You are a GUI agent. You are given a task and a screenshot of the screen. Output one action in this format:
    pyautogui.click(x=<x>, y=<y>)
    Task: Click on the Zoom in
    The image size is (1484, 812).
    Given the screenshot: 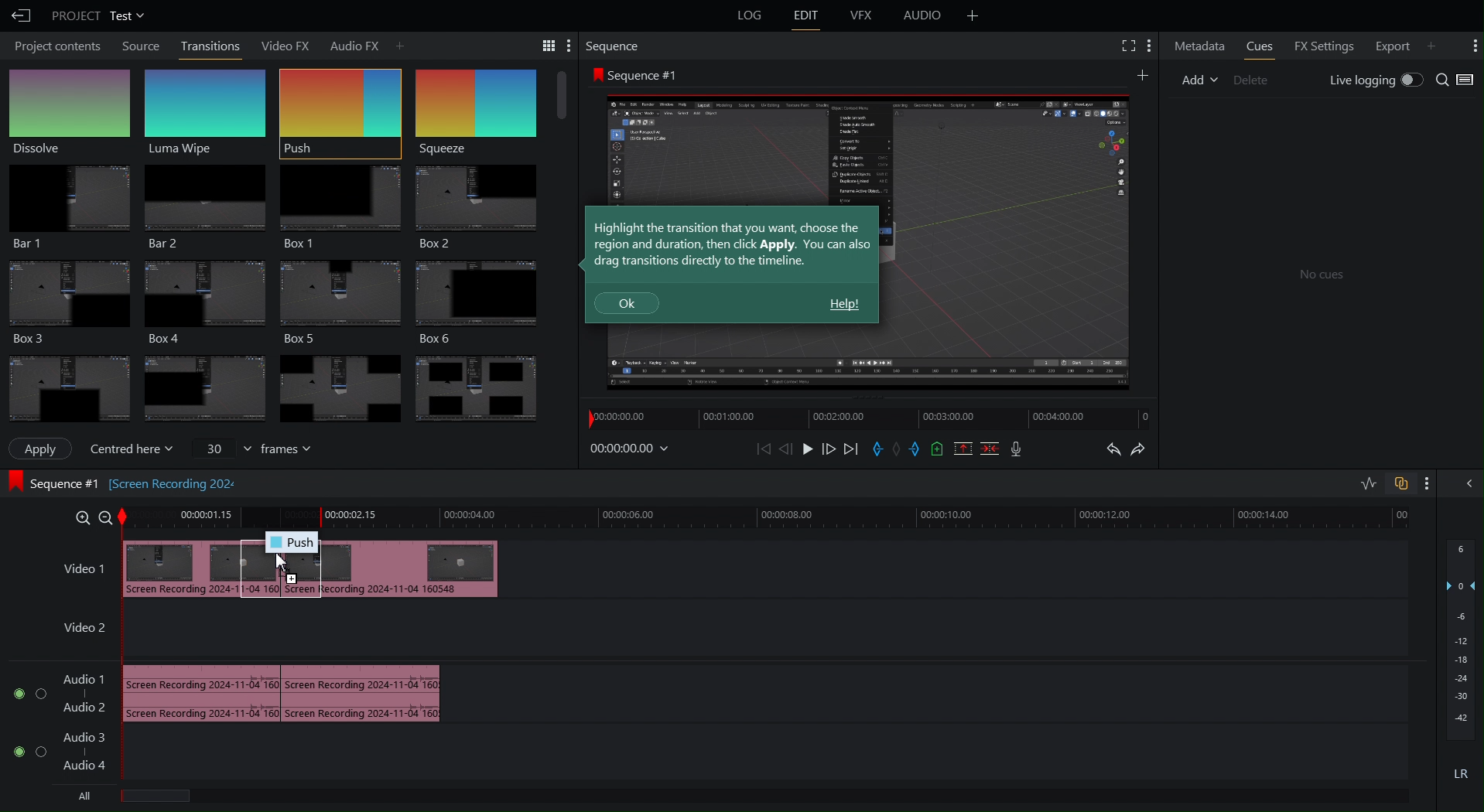 What is the action you would take?
    pyautogui.click(x=77, y=517)
    